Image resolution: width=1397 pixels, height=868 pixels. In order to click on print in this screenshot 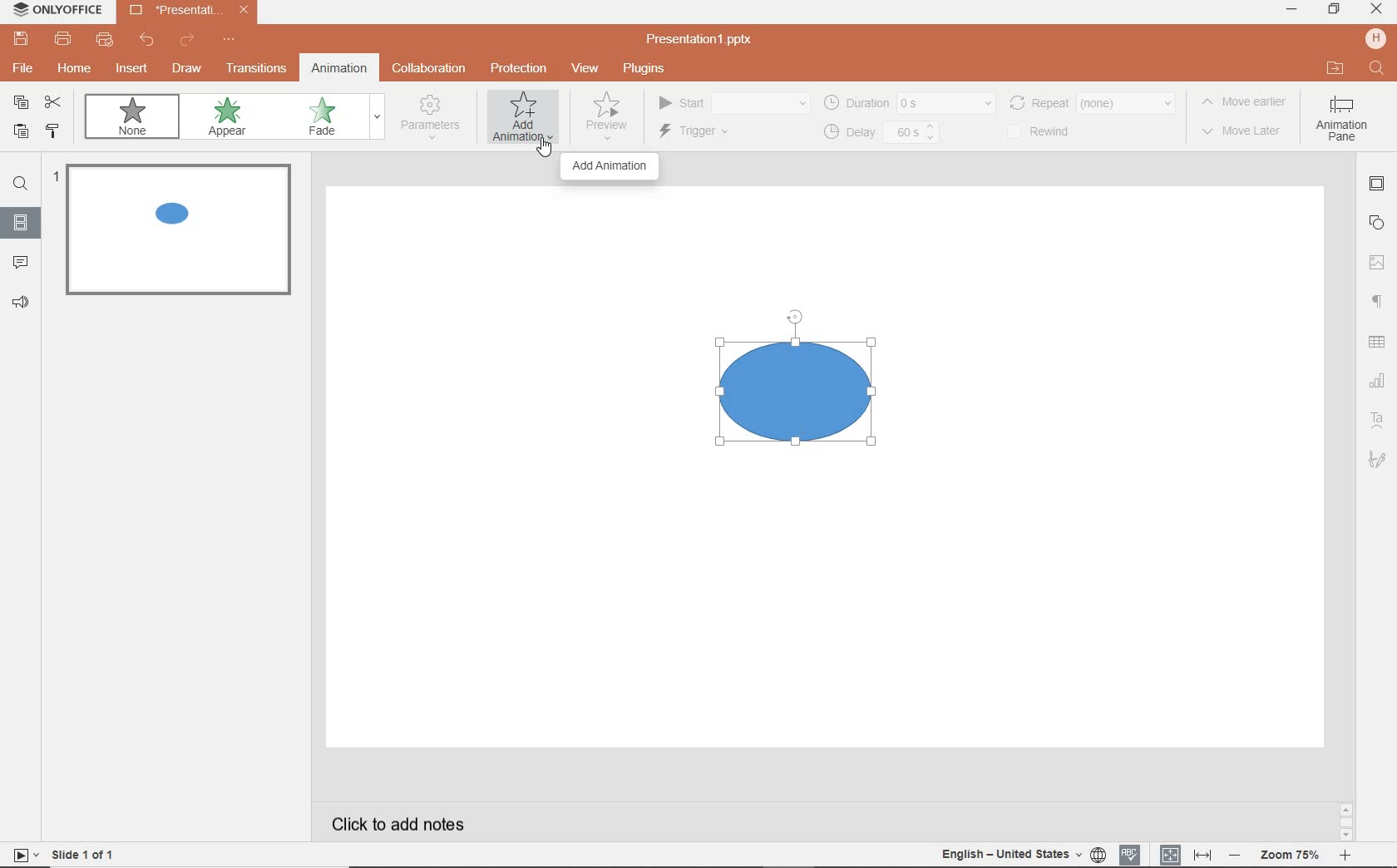, I will do `click(63, 41)`.